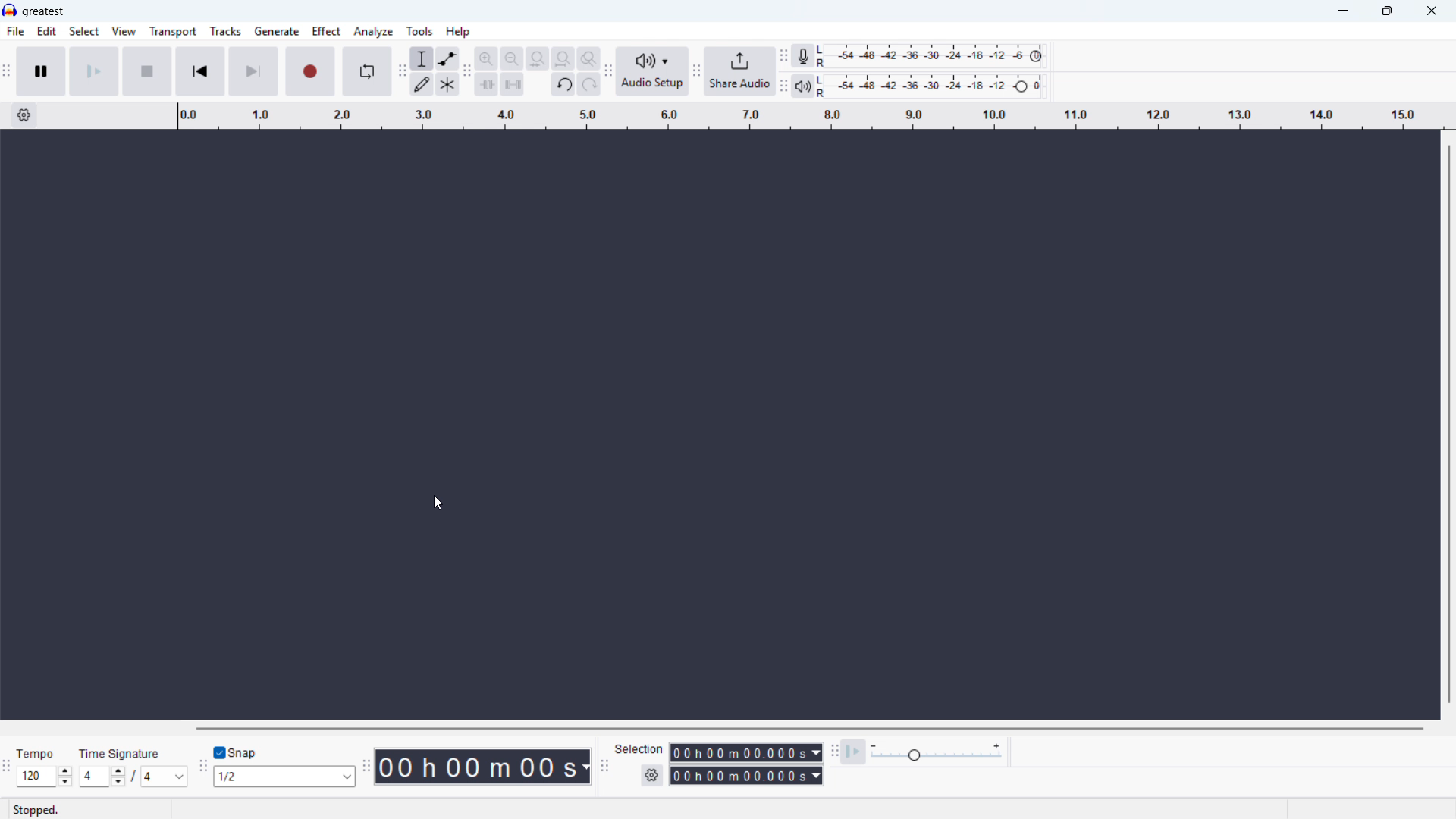 The image size is (1456, 819). What do you see at coordinates (173, 31) in the screenshot?
I see `Transport ` at bounding box center [173, 31].